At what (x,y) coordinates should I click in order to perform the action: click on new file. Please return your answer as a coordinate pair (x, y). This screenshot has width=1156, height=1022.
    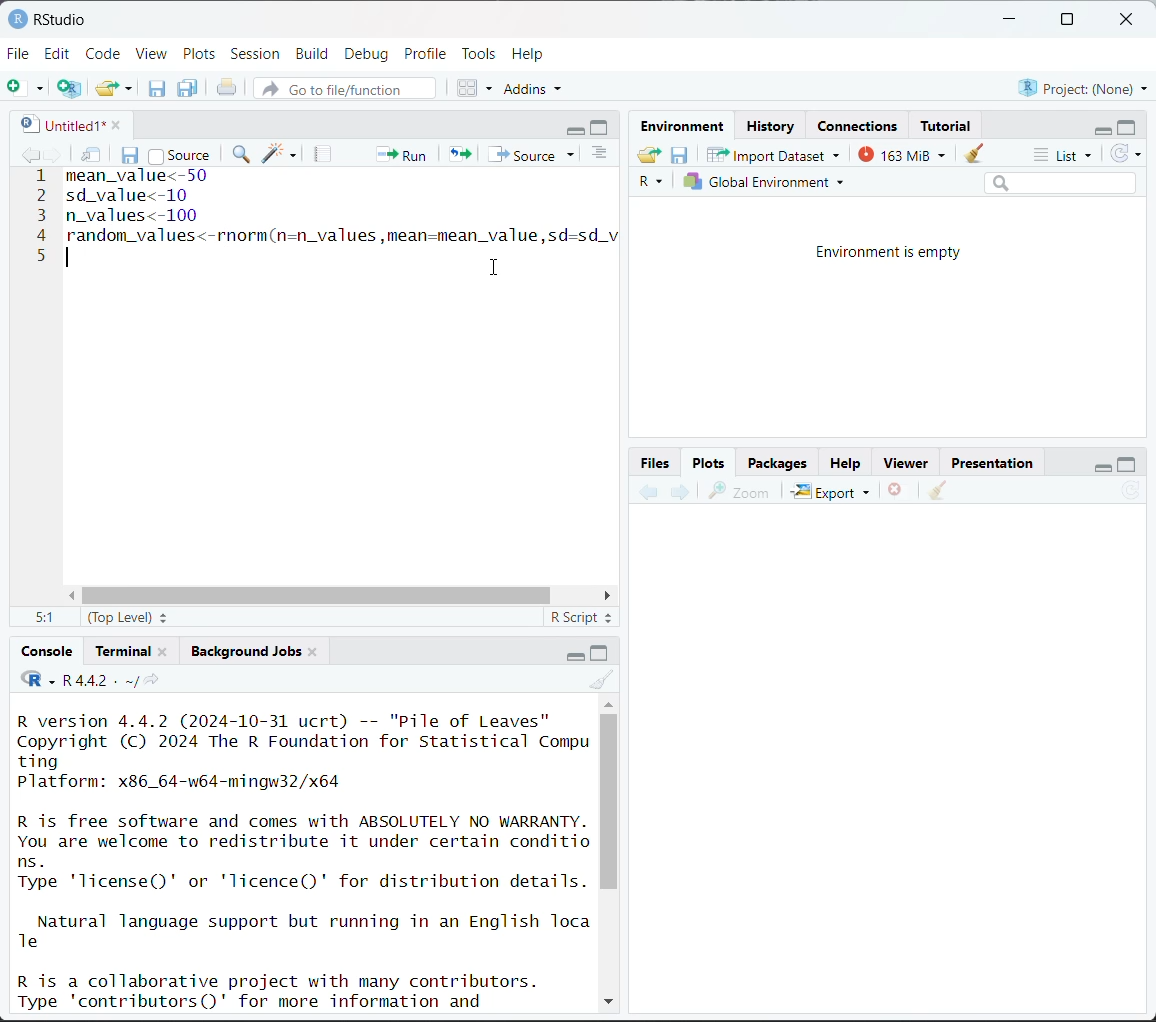
    Looking at the image, I should click on (25, 88).